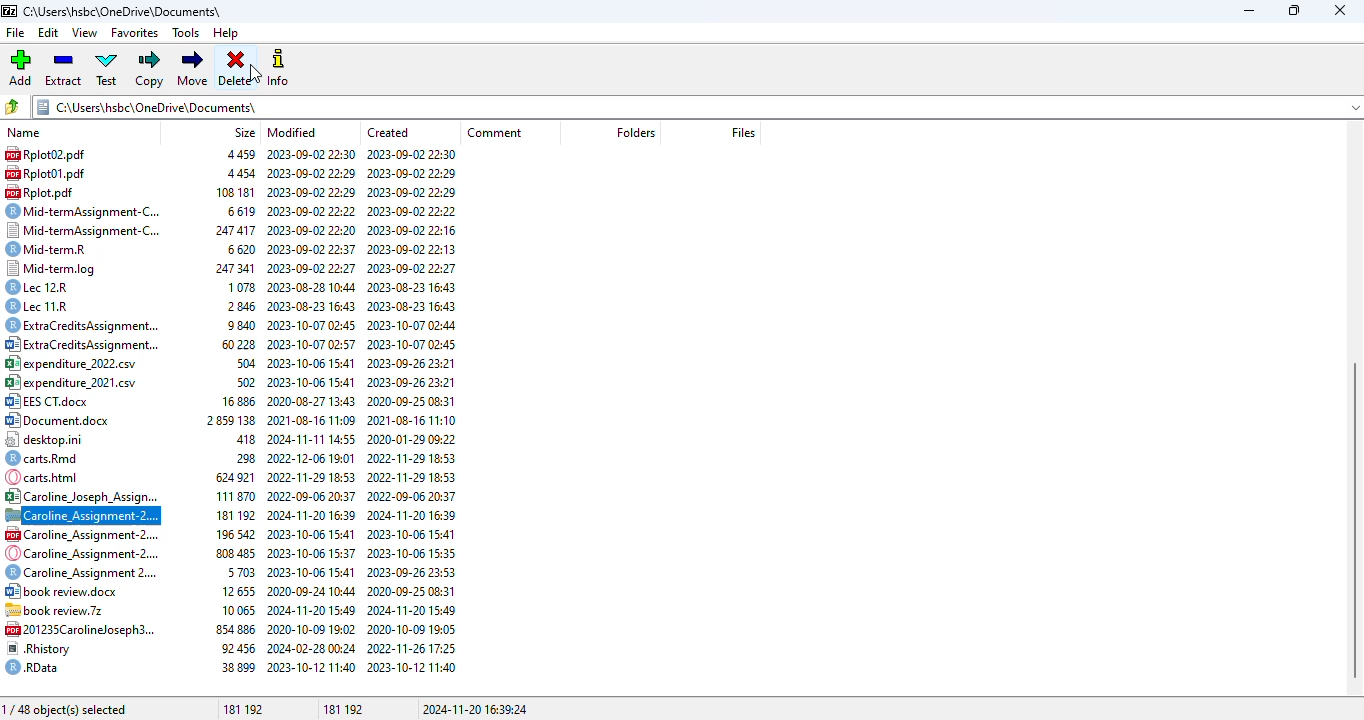 This screenshot has height=720, width=1364. I want to click on 2023-09-26 23:21, so click(414, 365).